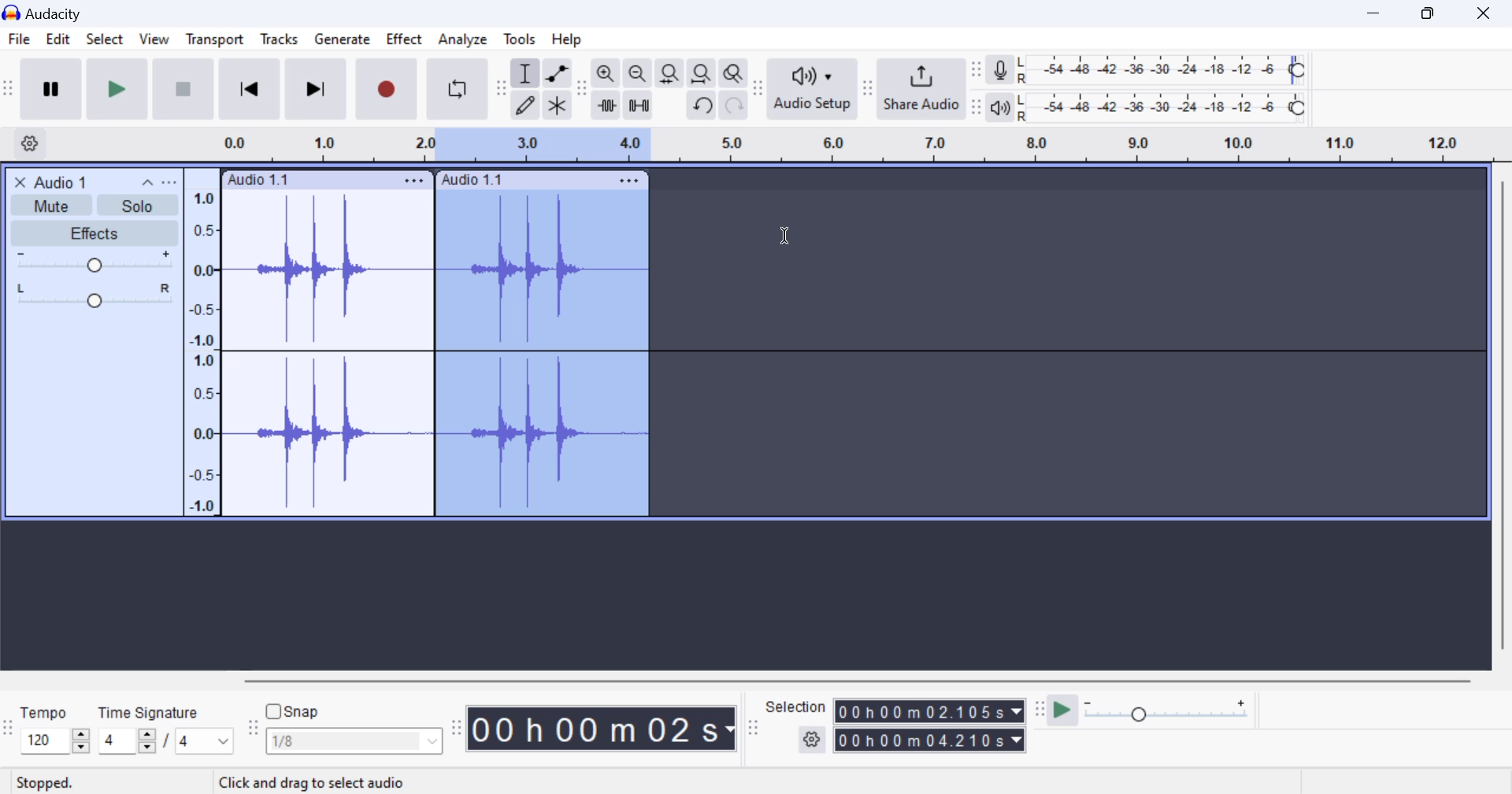 Image resolution: width=1512 pixels, height=794 pixels. Describe the element at coordinates (146, 181) in the screenshot. I see `collapse` at that location.